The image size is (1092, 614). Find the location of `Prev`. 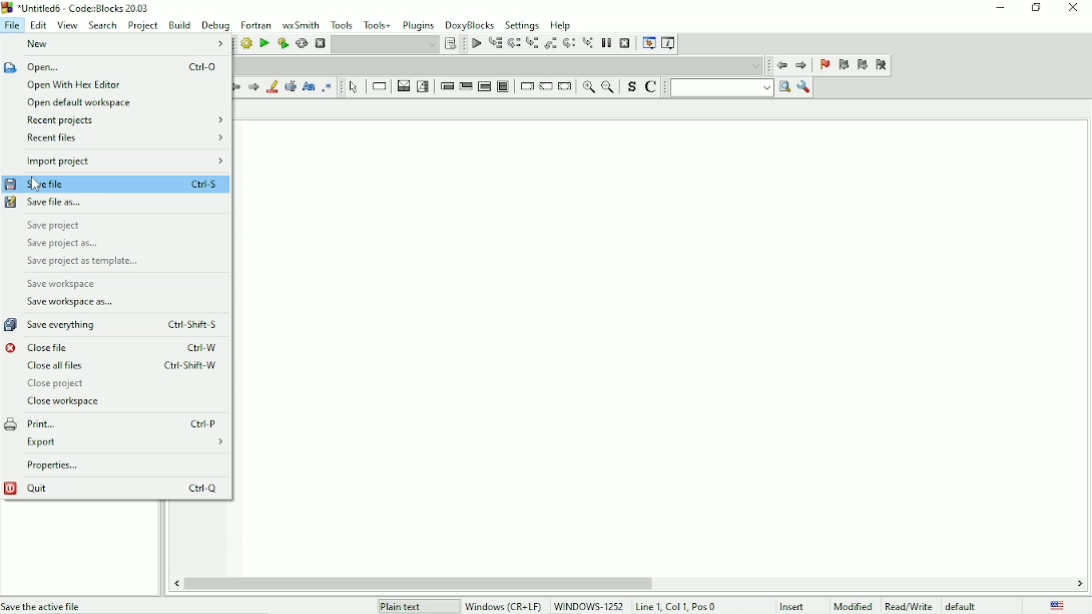

Prev is located at coordinates (234, 88).